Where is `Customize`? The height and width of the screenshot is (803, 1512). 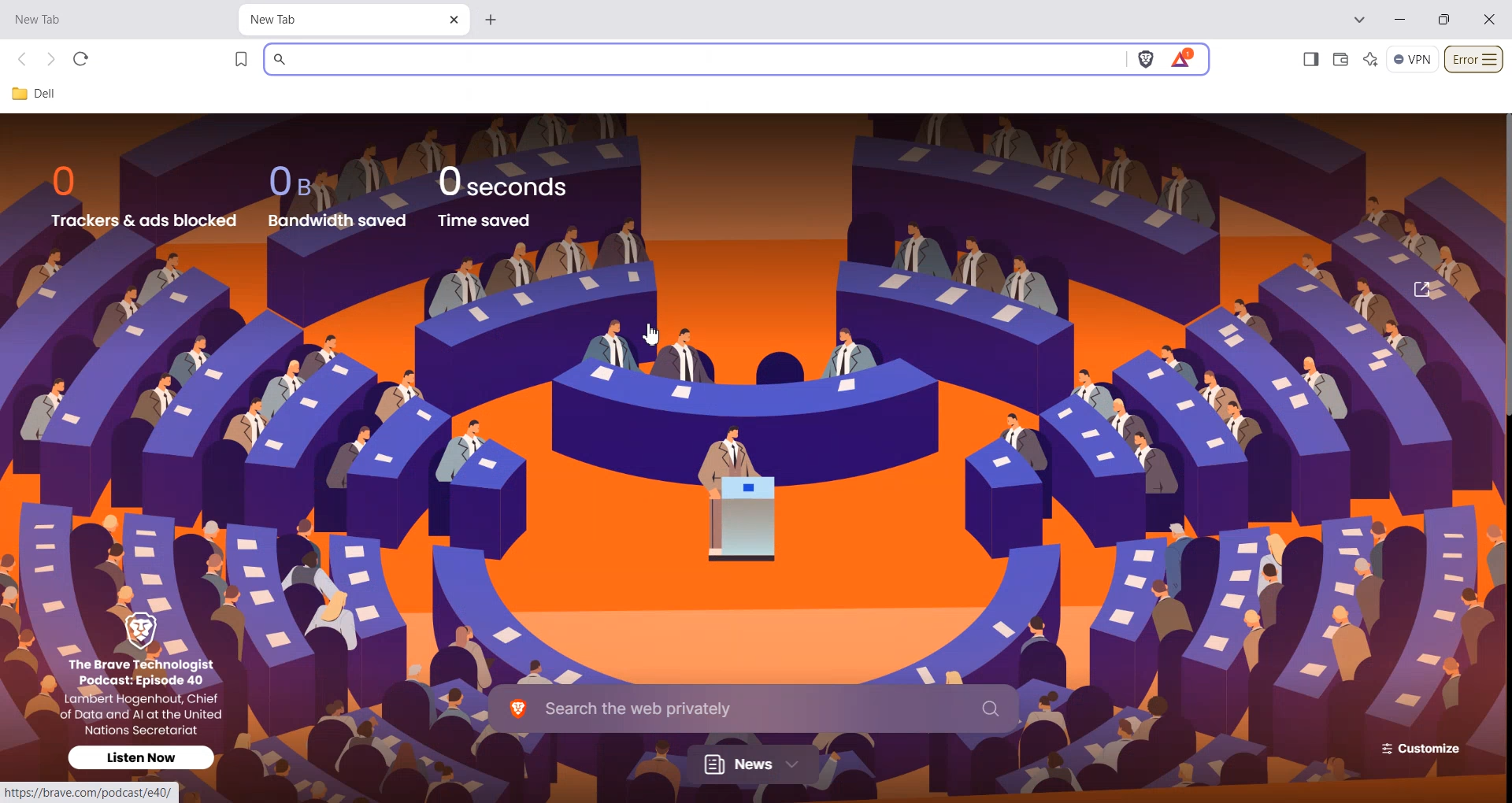
Customize is located at coordinates (1416, 748).